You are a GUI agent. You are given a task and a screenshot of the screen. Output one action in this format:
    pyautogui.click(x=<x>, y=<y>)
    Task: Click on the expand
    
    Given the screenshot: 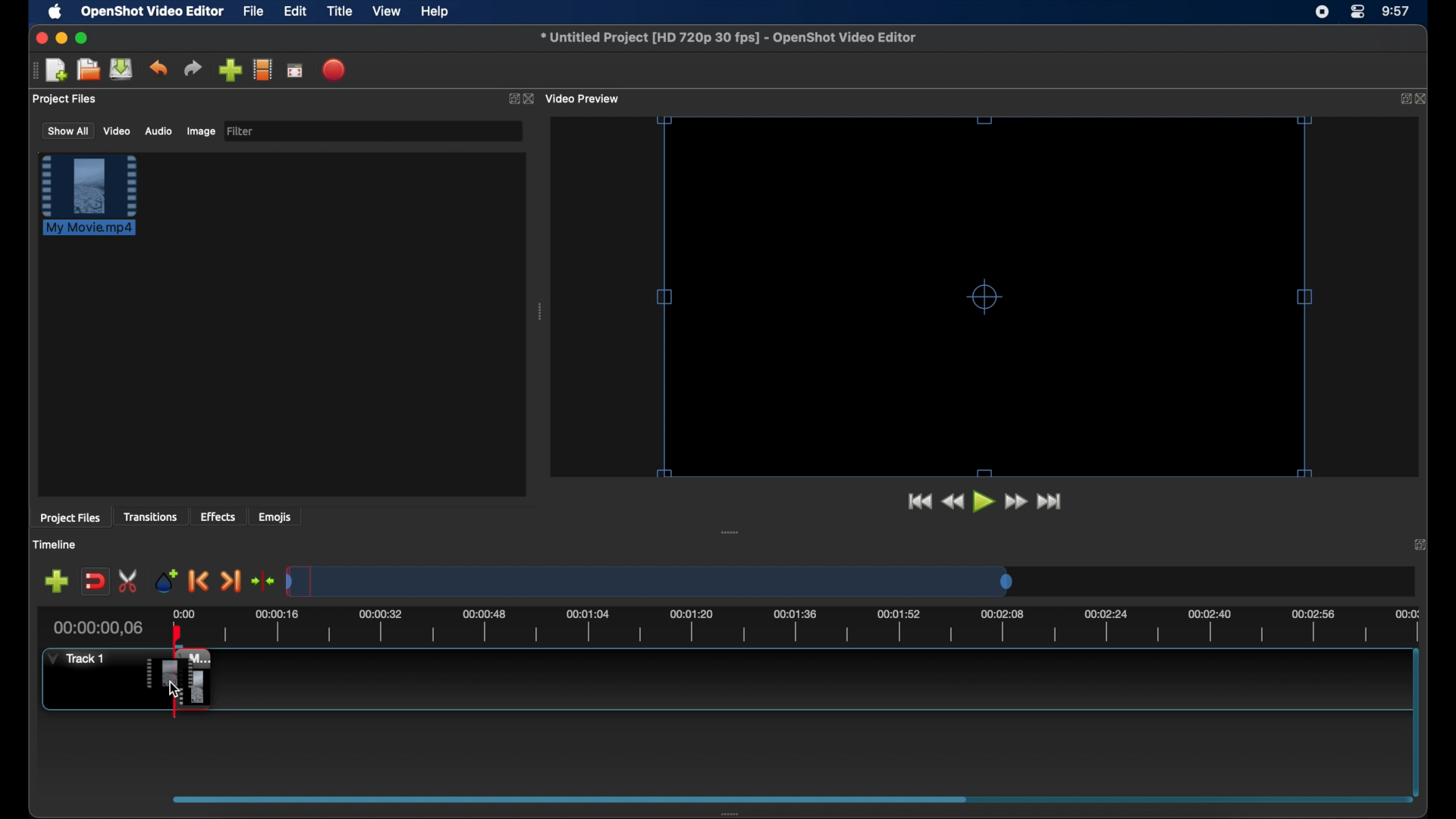 What is the action you would take?
    pyautogui.click(x=511, y=99)
    